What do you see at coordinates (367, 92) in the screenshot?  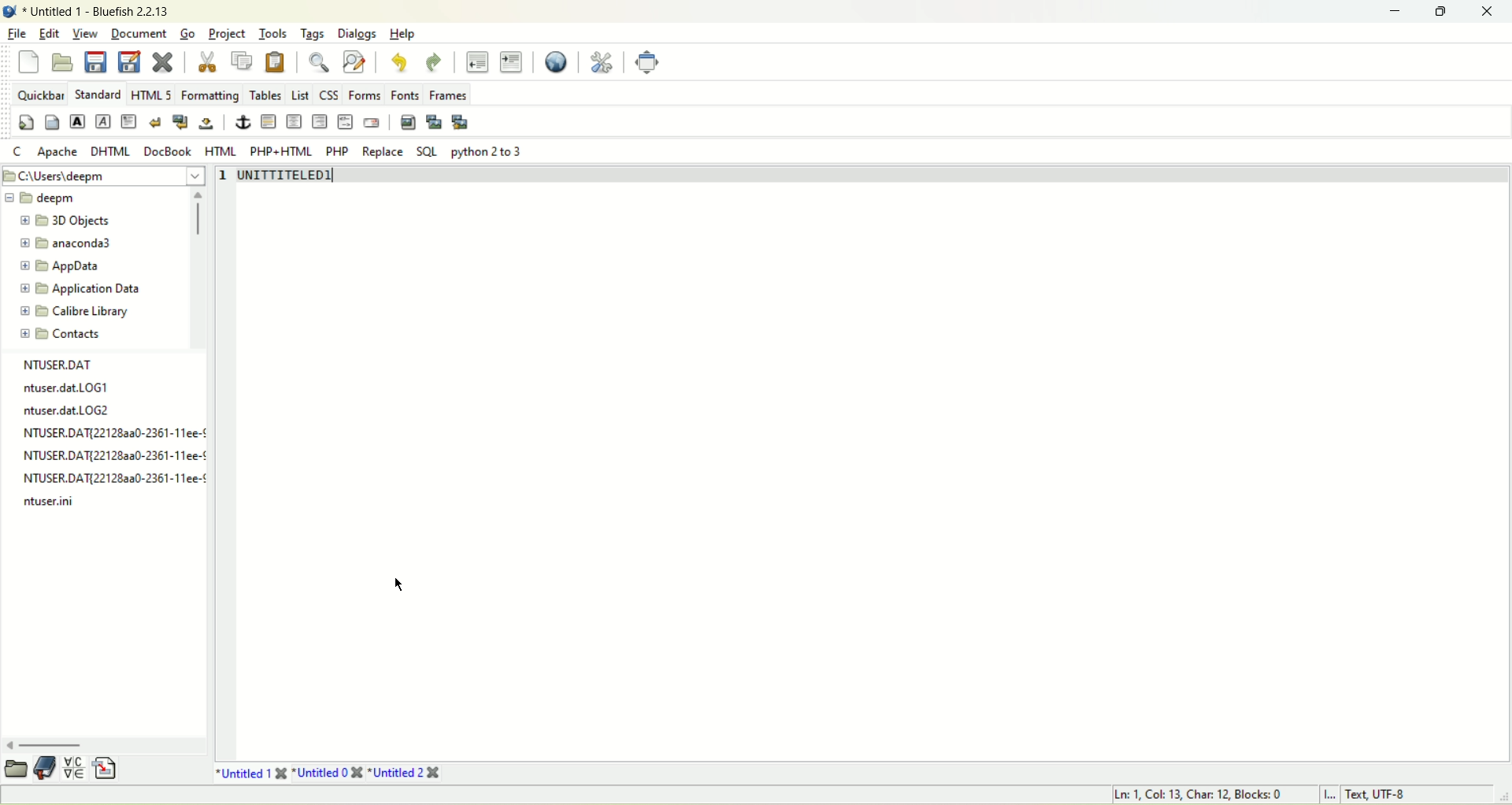 I see `Forms ` at bounding box center [367, 92].